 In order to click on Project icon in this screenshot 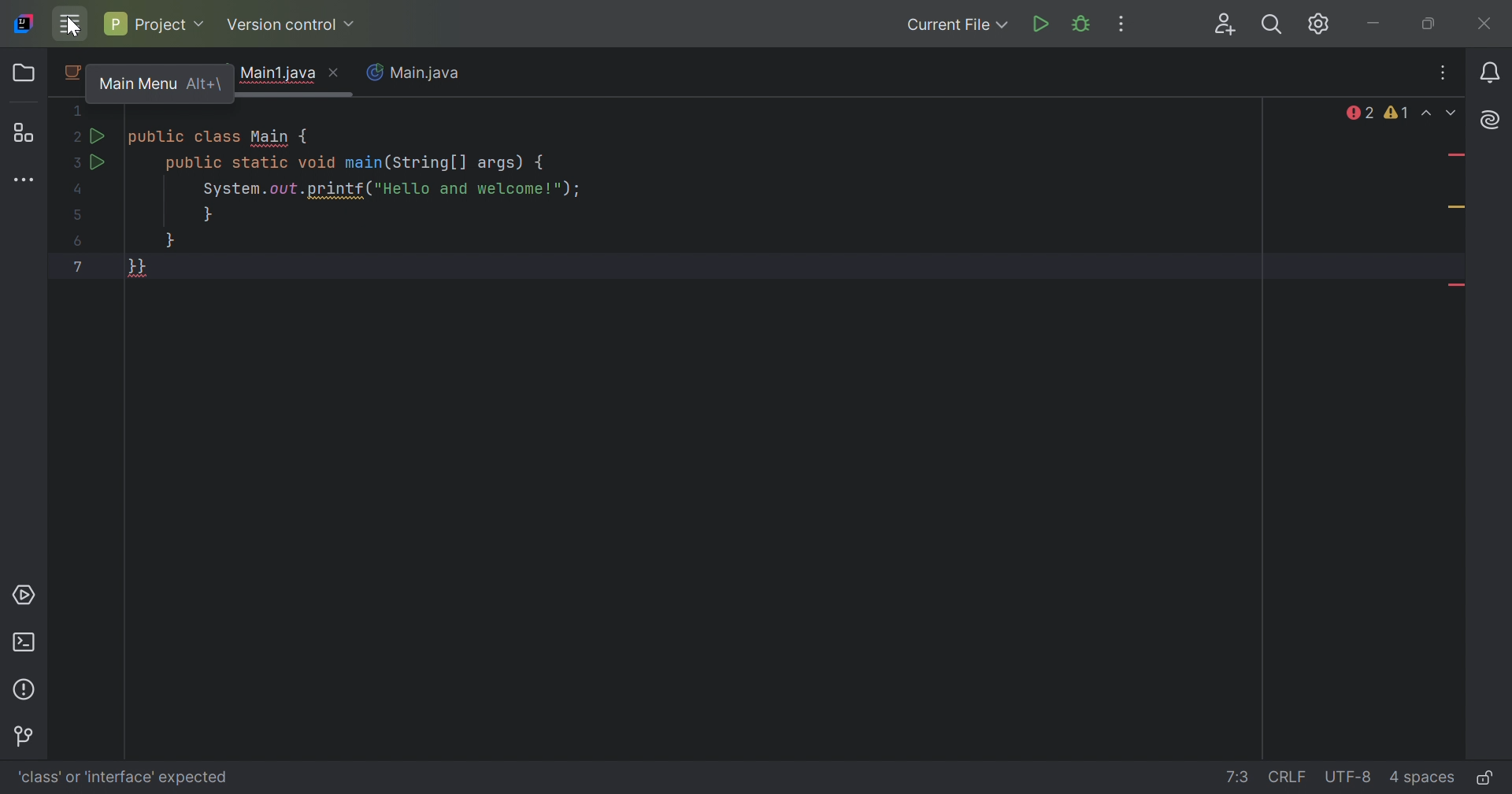, I will do `click(22, 72)`.